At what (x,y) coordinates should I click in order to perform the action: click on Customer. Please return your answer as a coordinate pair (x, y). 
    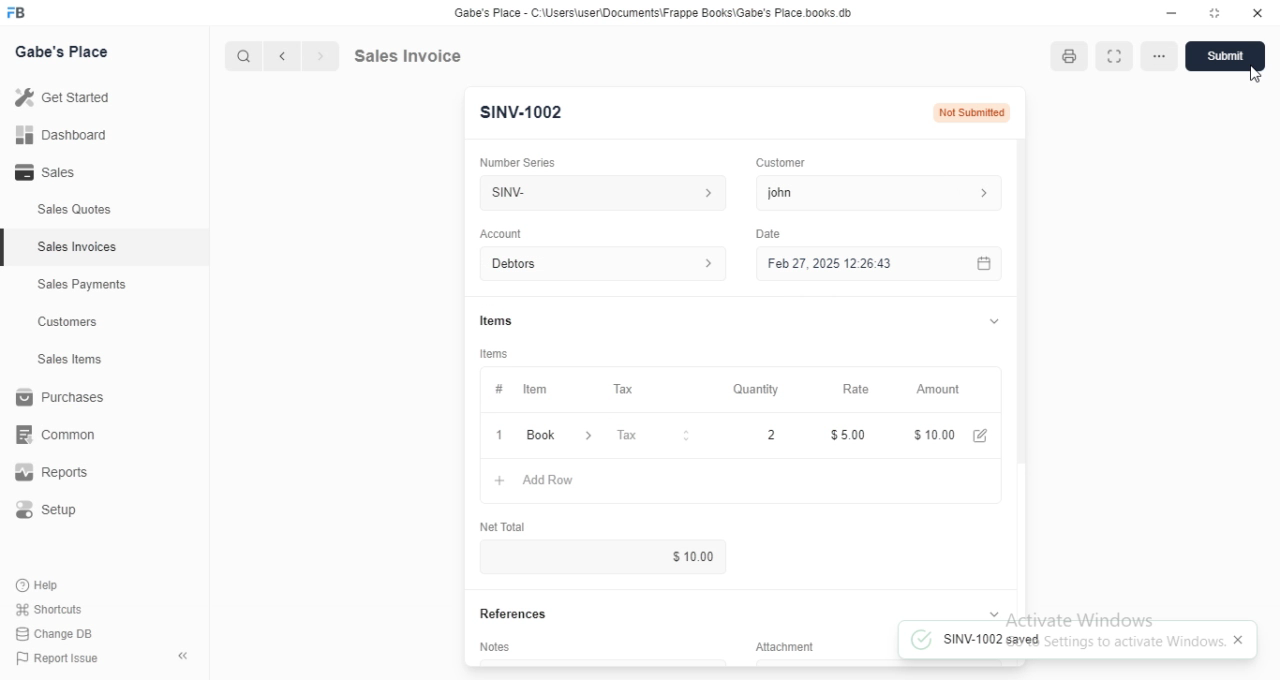
    Looking at the image, I should click on (784, 163).